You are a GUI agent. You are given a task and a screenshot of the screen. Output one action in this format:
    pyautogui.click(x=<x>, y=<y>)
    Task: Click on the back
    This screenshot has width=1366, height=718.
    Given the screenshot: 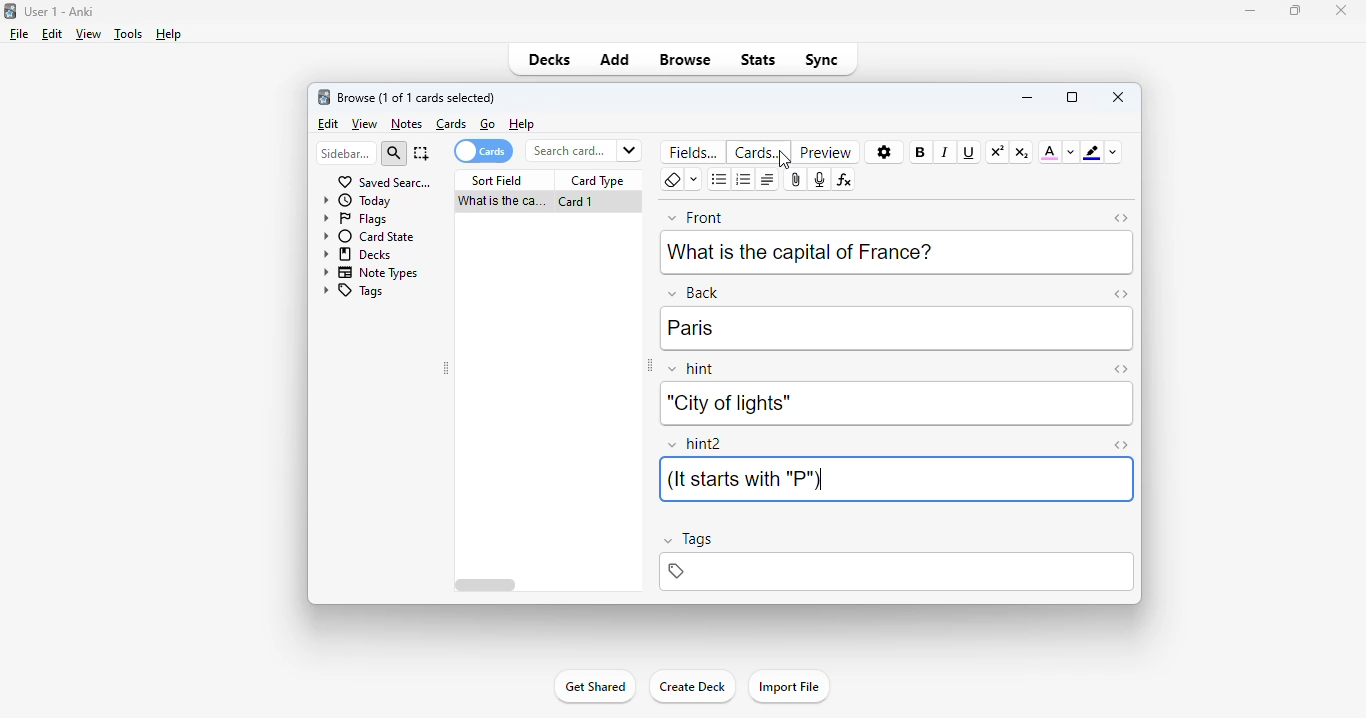 What is the action you would take?
    pyautogui.click(x=693, y=292)
    